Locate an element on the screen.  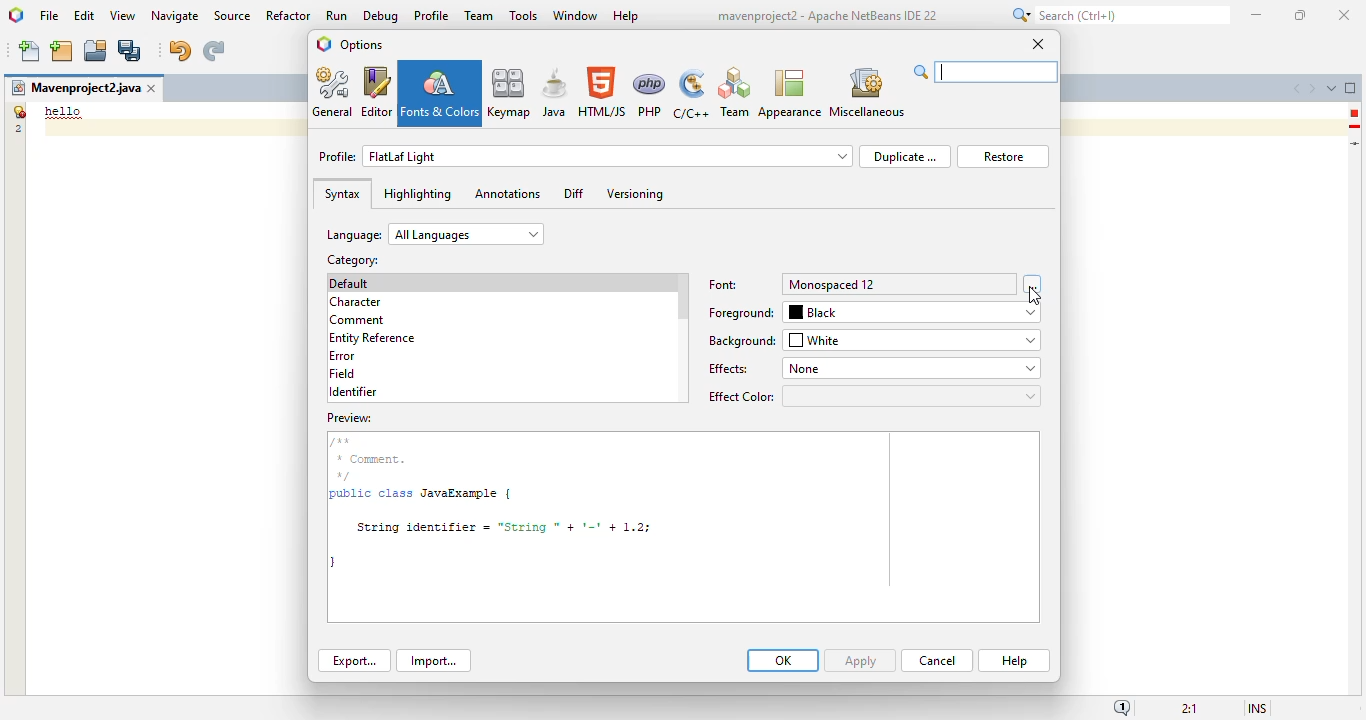
restore is located at coordinates (1003, 157).